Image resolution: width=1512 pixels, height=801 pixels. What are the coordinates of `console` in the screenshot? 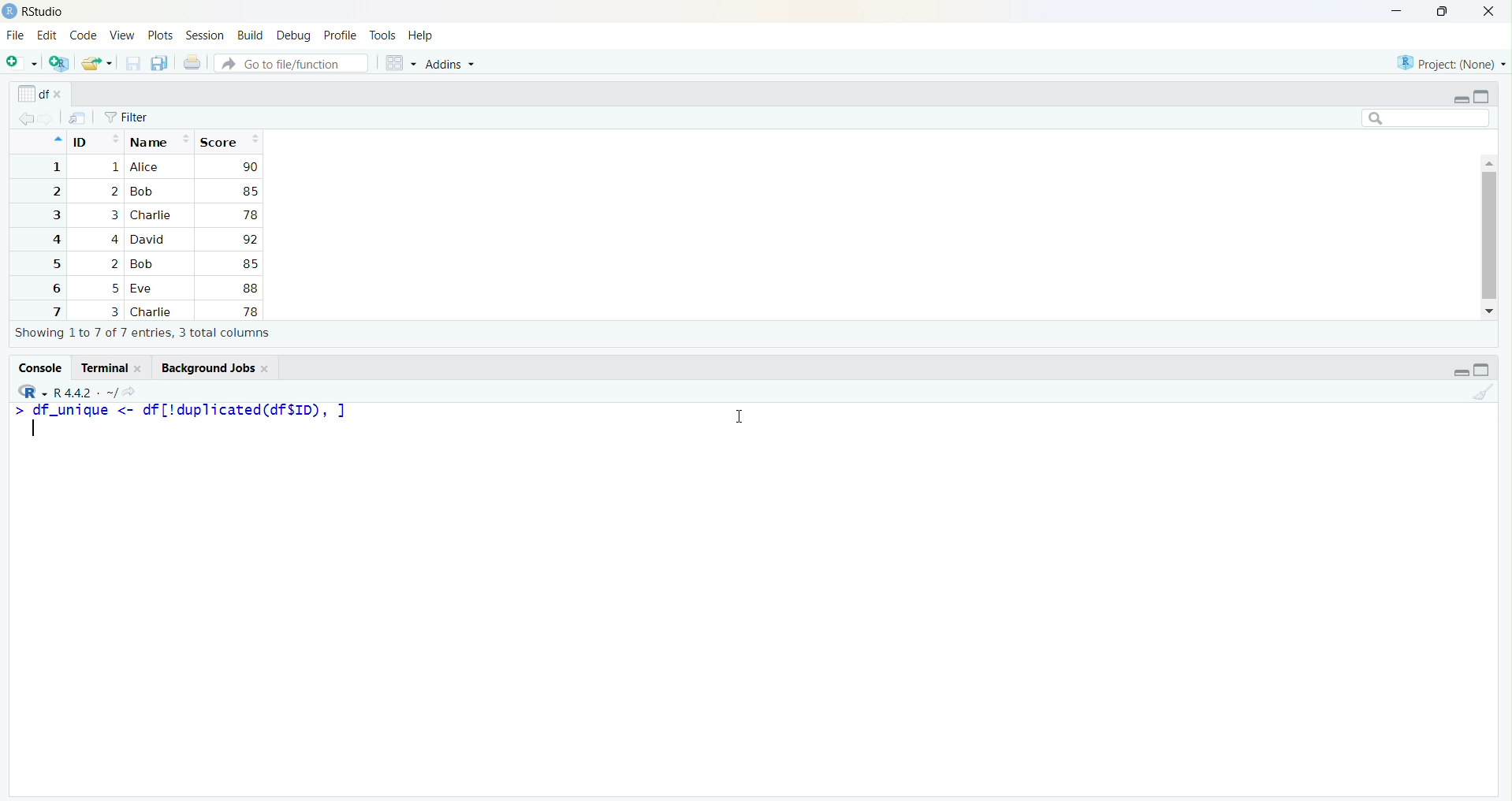 It's located at (39, 367).